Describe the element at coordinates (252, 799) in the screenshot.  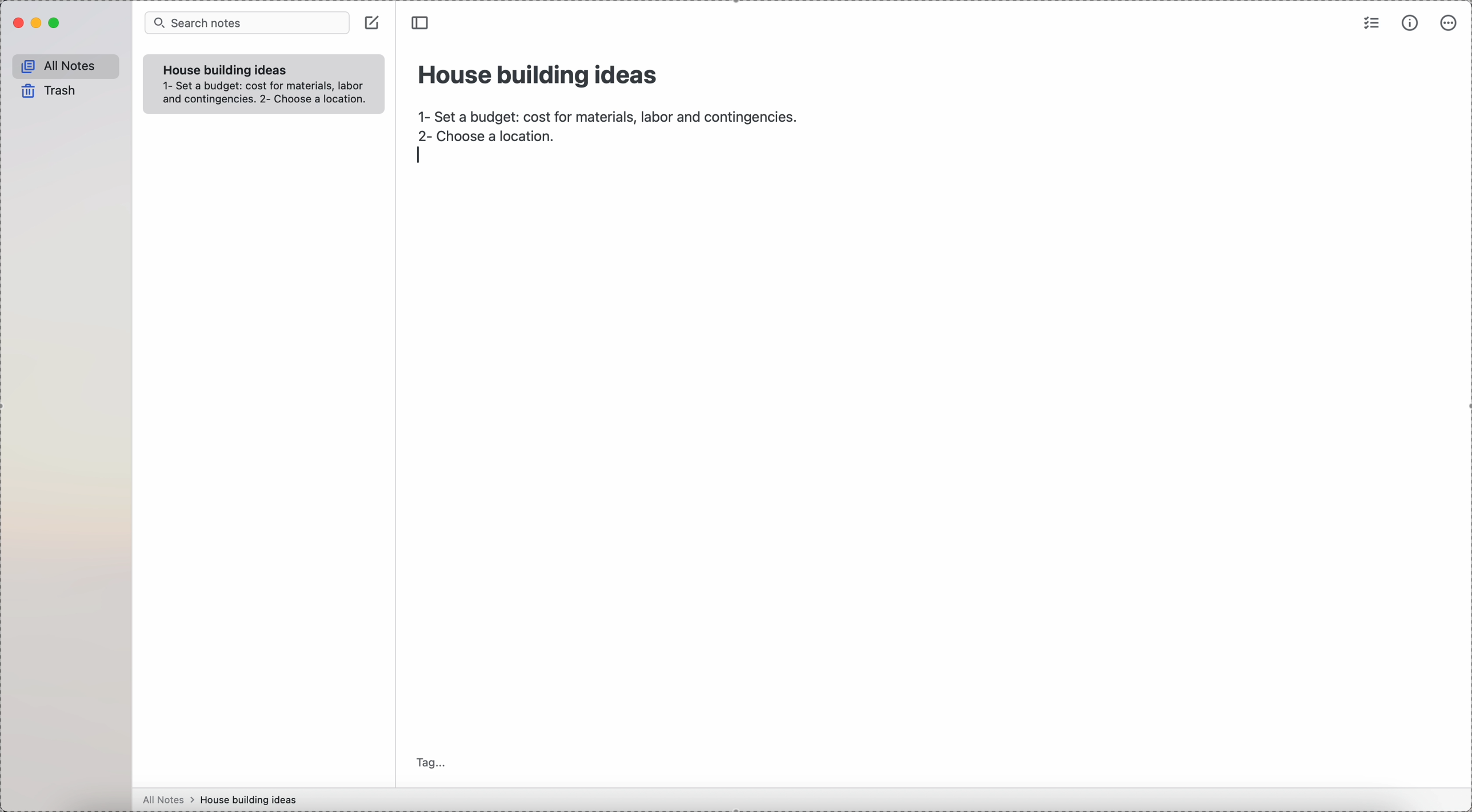
I see `house building ideas` at that location.